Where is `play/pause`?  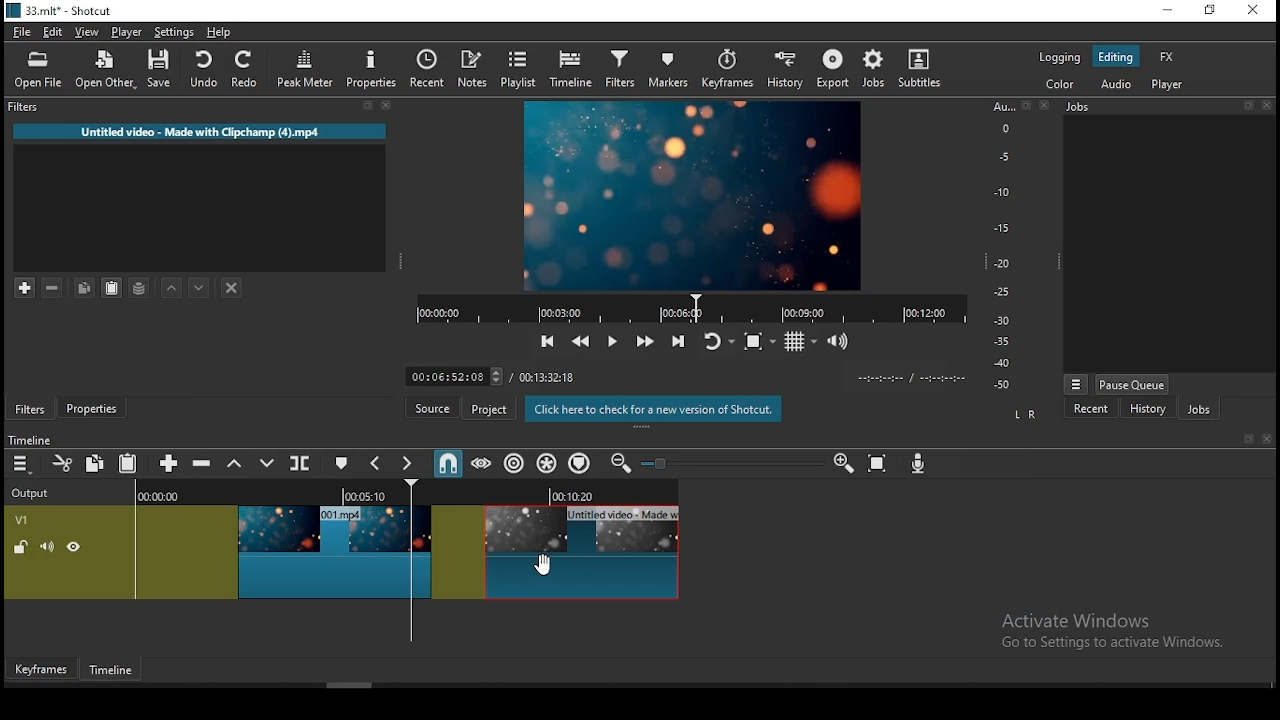
play/pause is located at coordinates (611, 338).